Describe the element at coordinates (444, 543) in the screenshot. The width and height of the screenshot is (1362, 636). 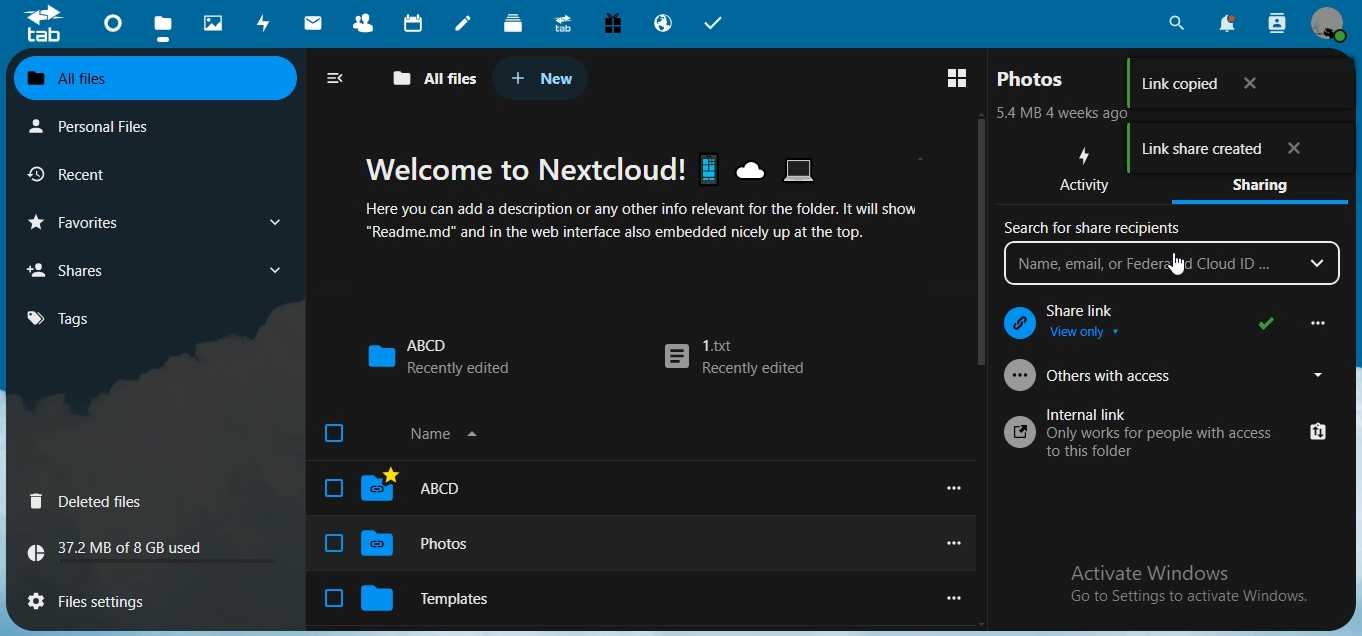
I see `Photos` at that location.